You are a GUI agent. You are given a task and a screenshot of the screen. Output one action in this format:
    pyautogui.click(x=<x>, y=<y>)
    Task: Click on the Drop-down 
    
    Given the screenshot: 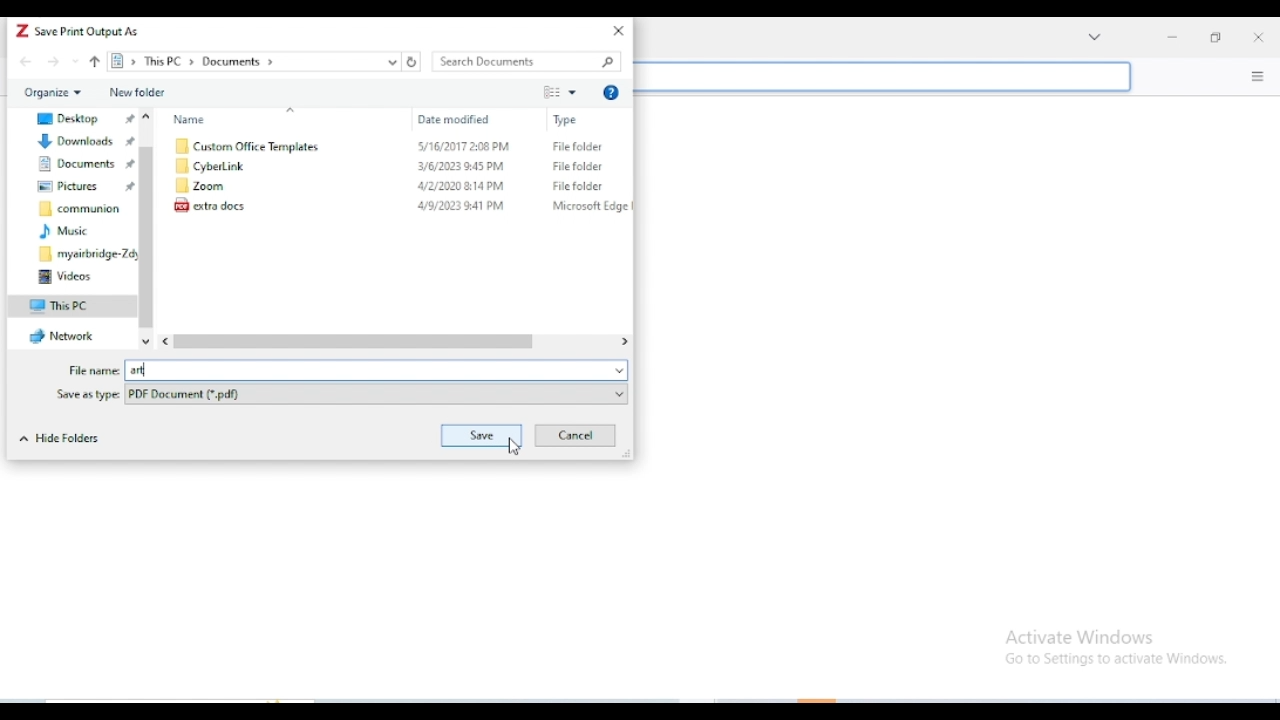 What is the action you would take?
    pyautogui.click(x=1096, y=38)
    